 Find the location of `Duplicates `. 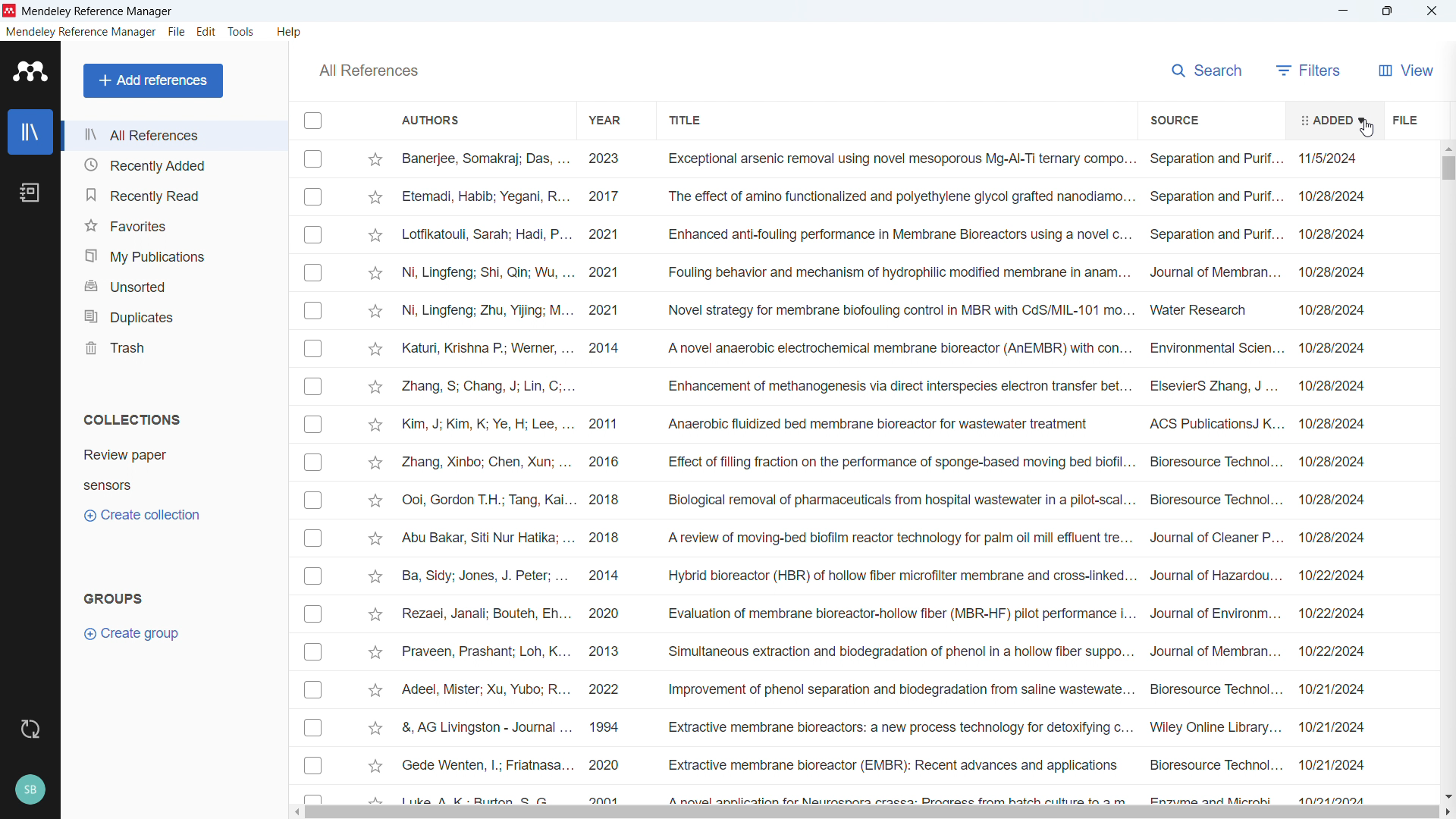

Duplicates  is located at coordinates (173, 313).